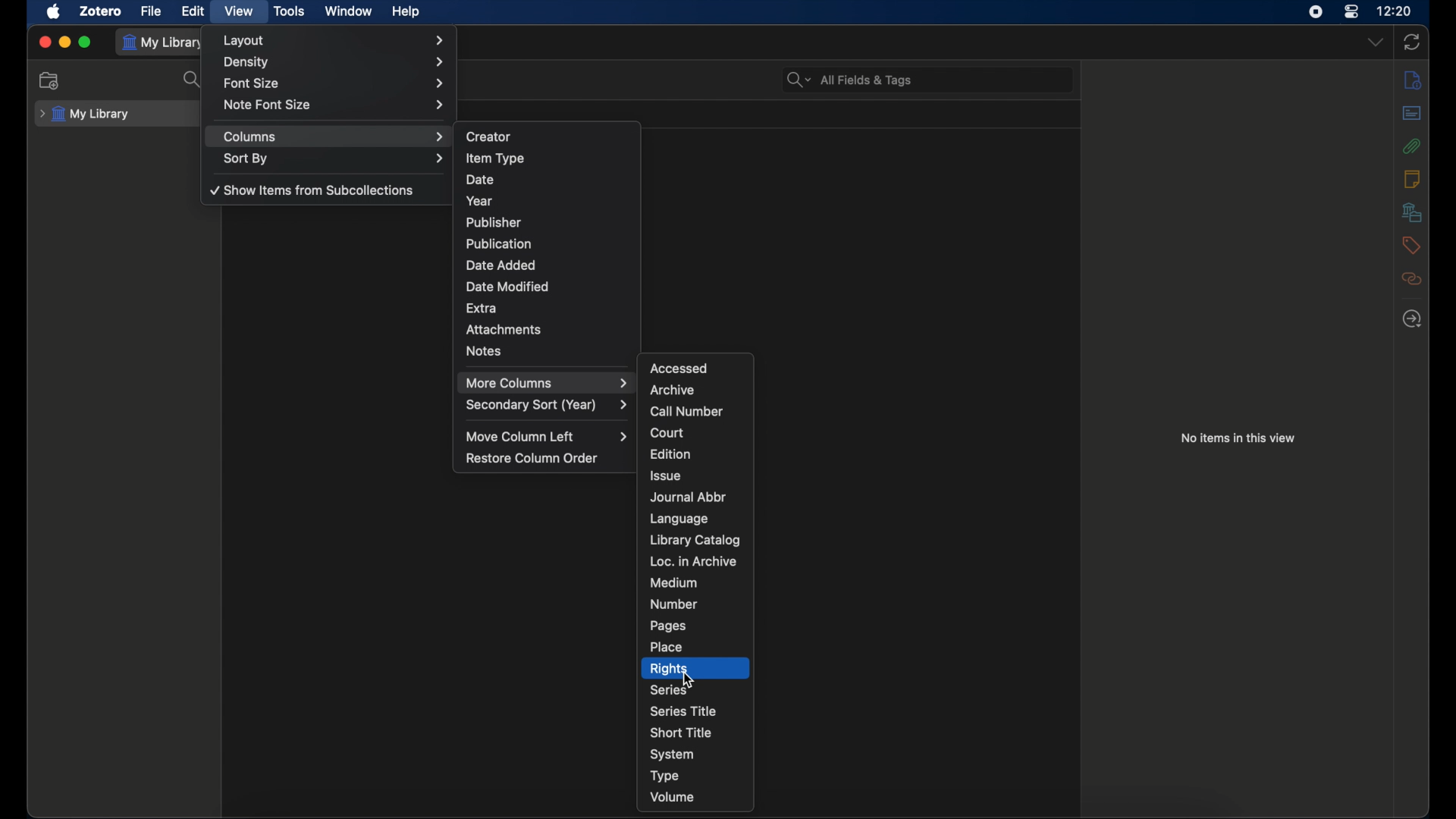 Image resolution: width=1456 pixels, height=819 pixels. Describe the element at coordinates (500, 265) in the screenshot. I see `date added` at that location.